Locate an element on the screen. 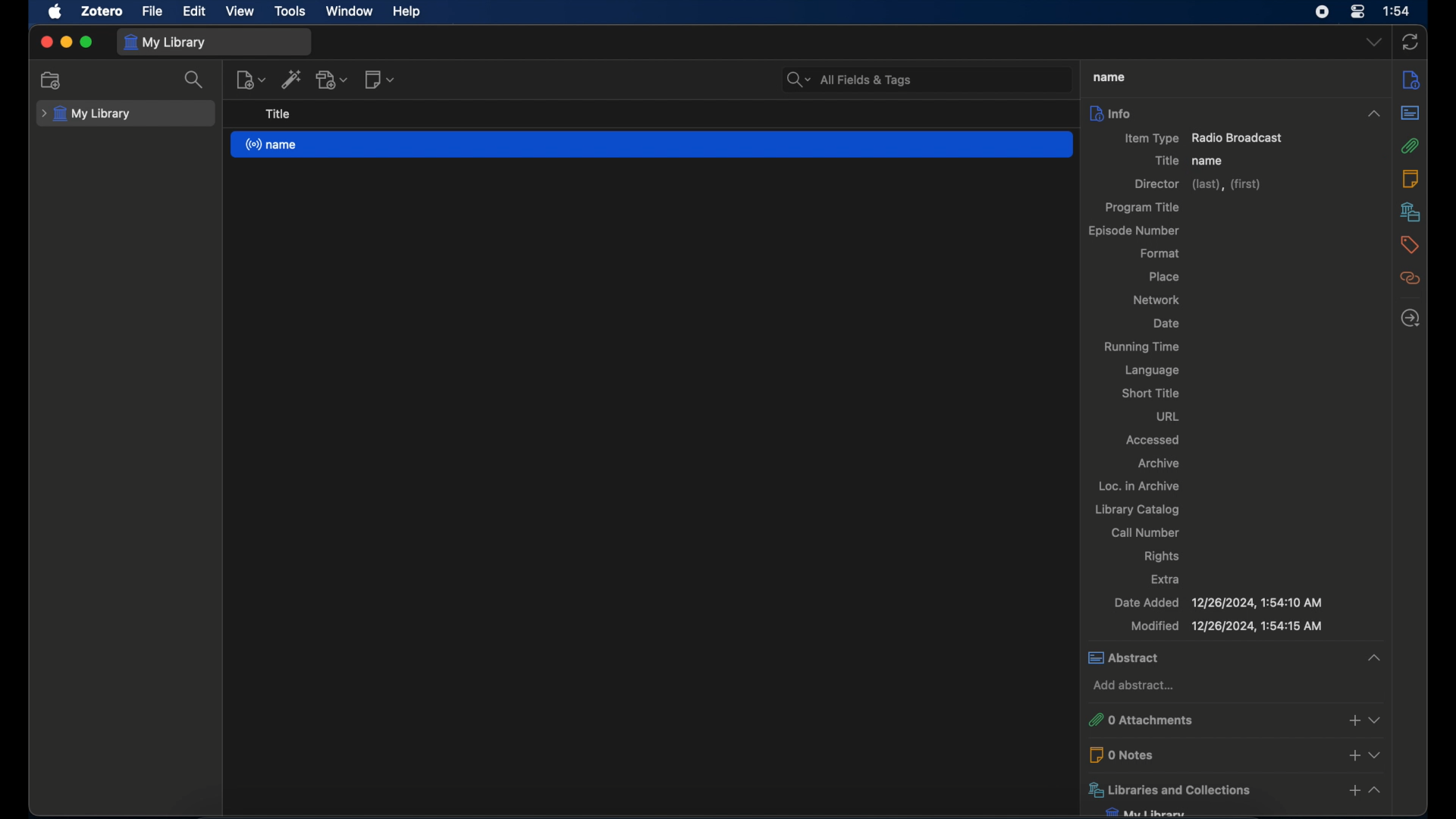 This screenshot has height=819, width=1456. info is located at coordinates (1233, 113).